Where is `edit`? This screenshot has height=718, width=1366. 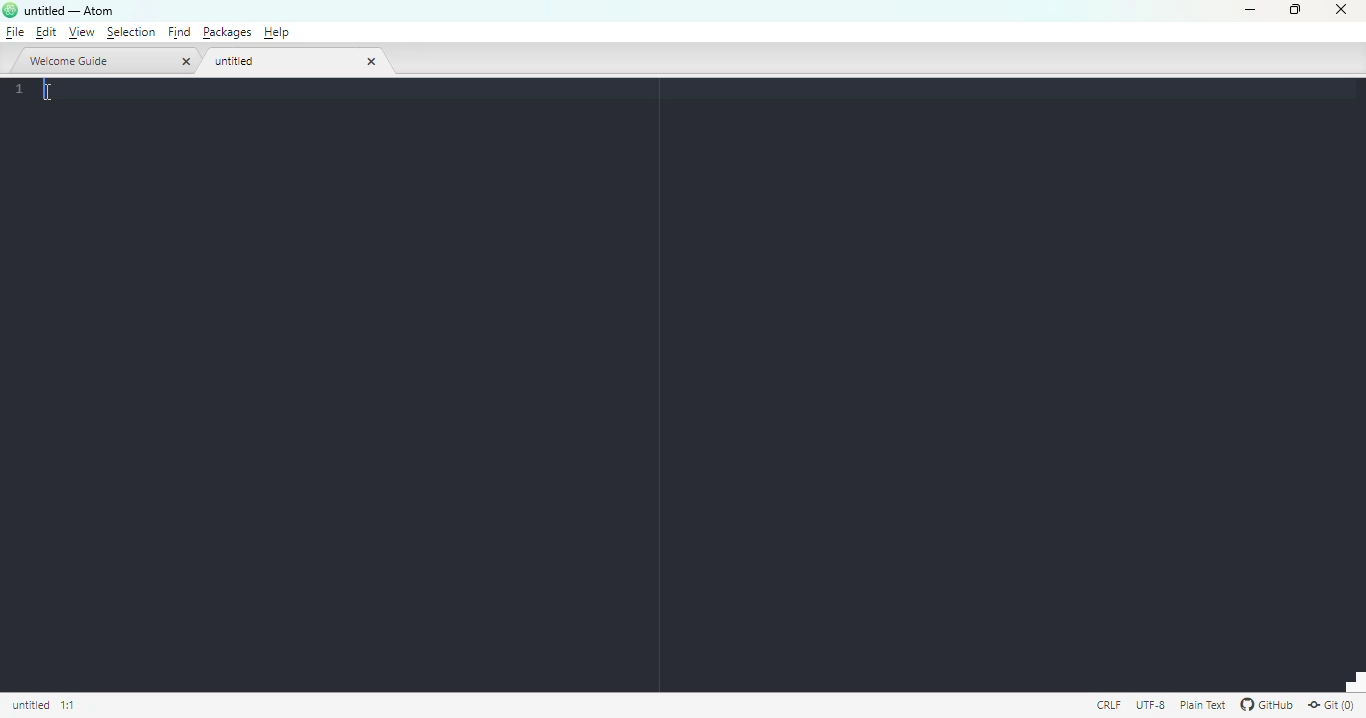
edit is located at coordinates (46, 32).